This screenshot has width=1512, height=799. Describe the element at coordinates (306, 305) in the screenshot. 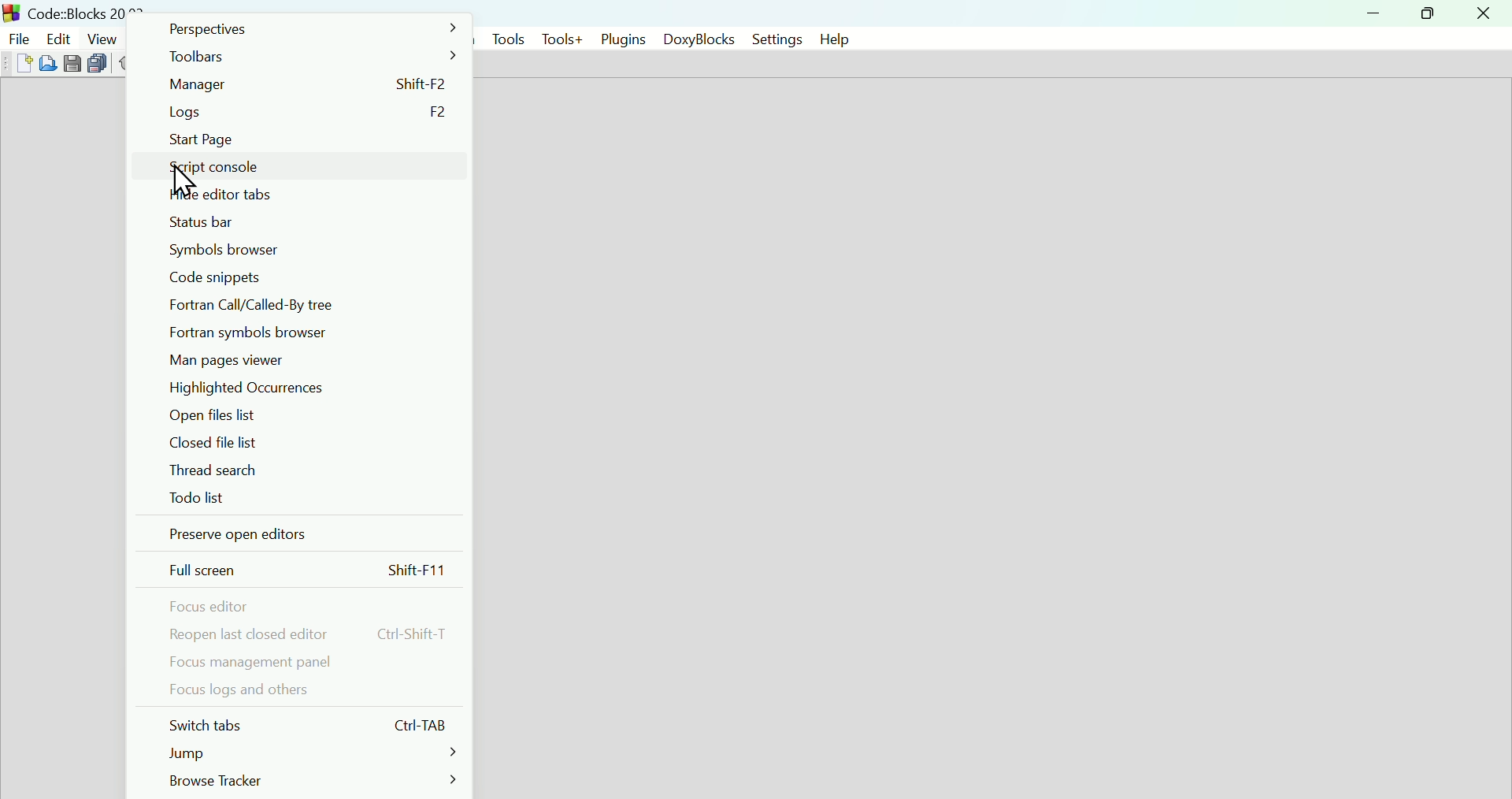

I see `Fortran call/called  by tree` at that location.